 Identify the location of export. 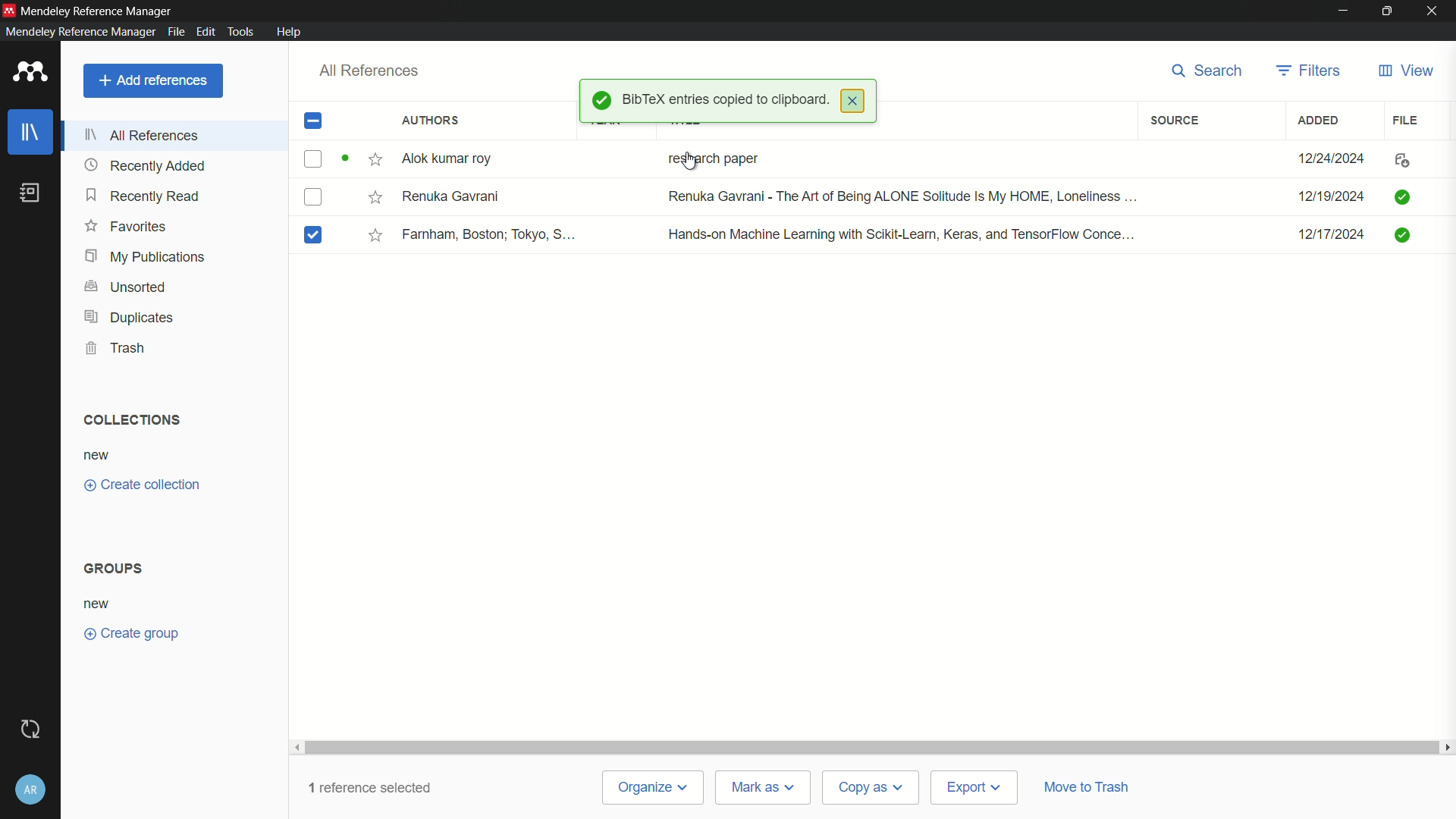
(974, 787).